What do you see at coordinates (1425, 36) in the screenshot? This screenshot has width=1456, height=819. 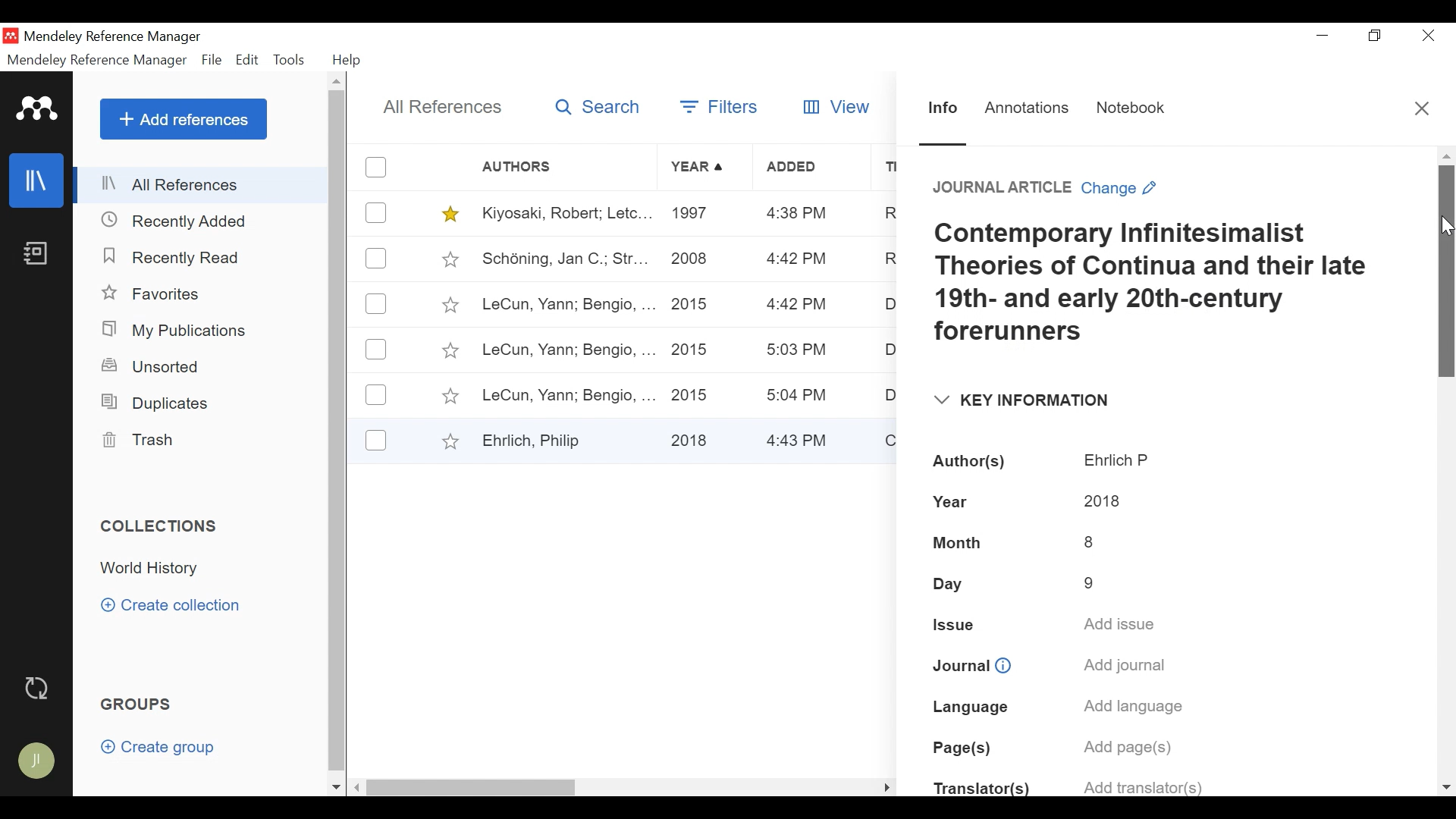 I see `Close` at bounding box center [1425, 36].